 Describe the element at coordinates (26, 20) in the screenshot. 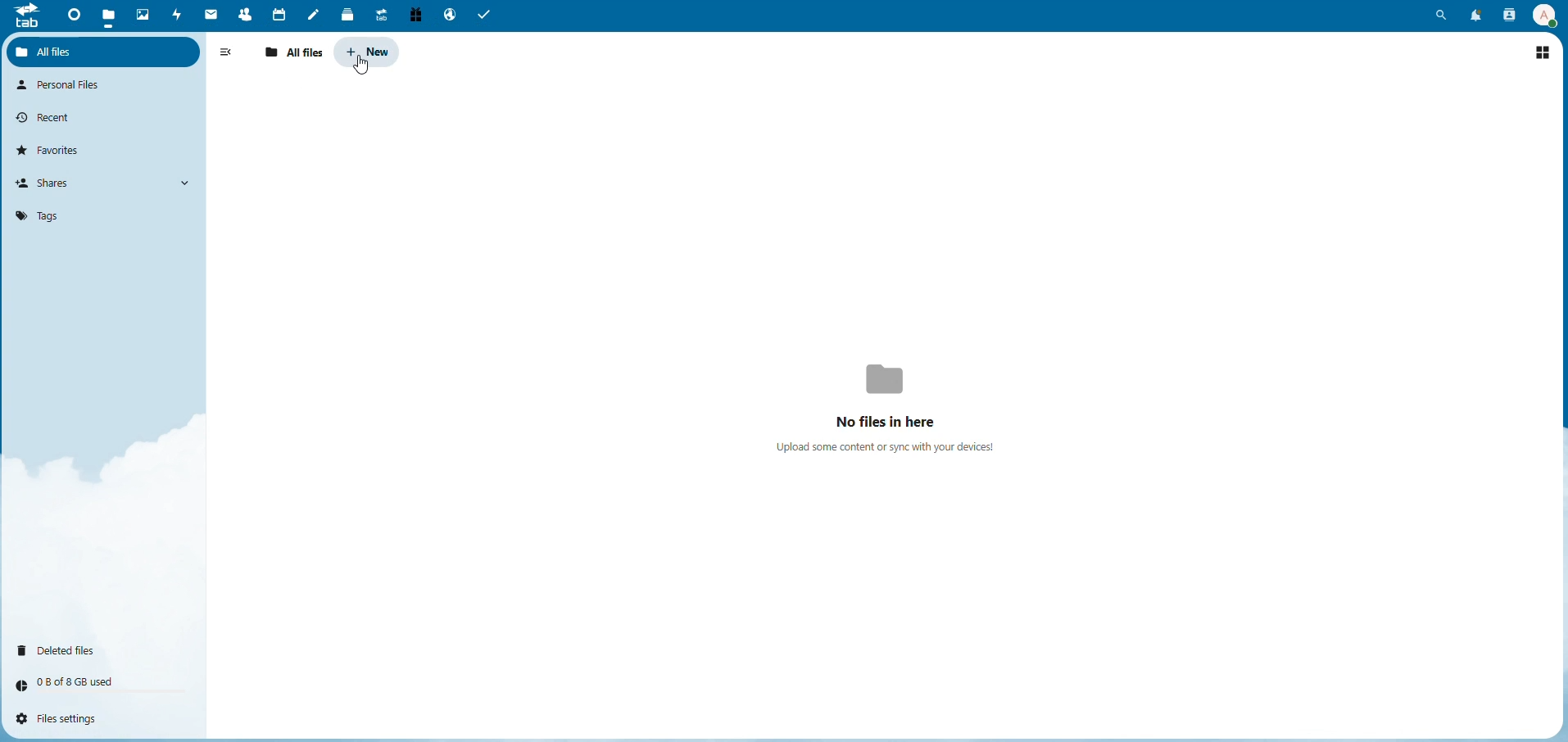

I see `logo` at that location.